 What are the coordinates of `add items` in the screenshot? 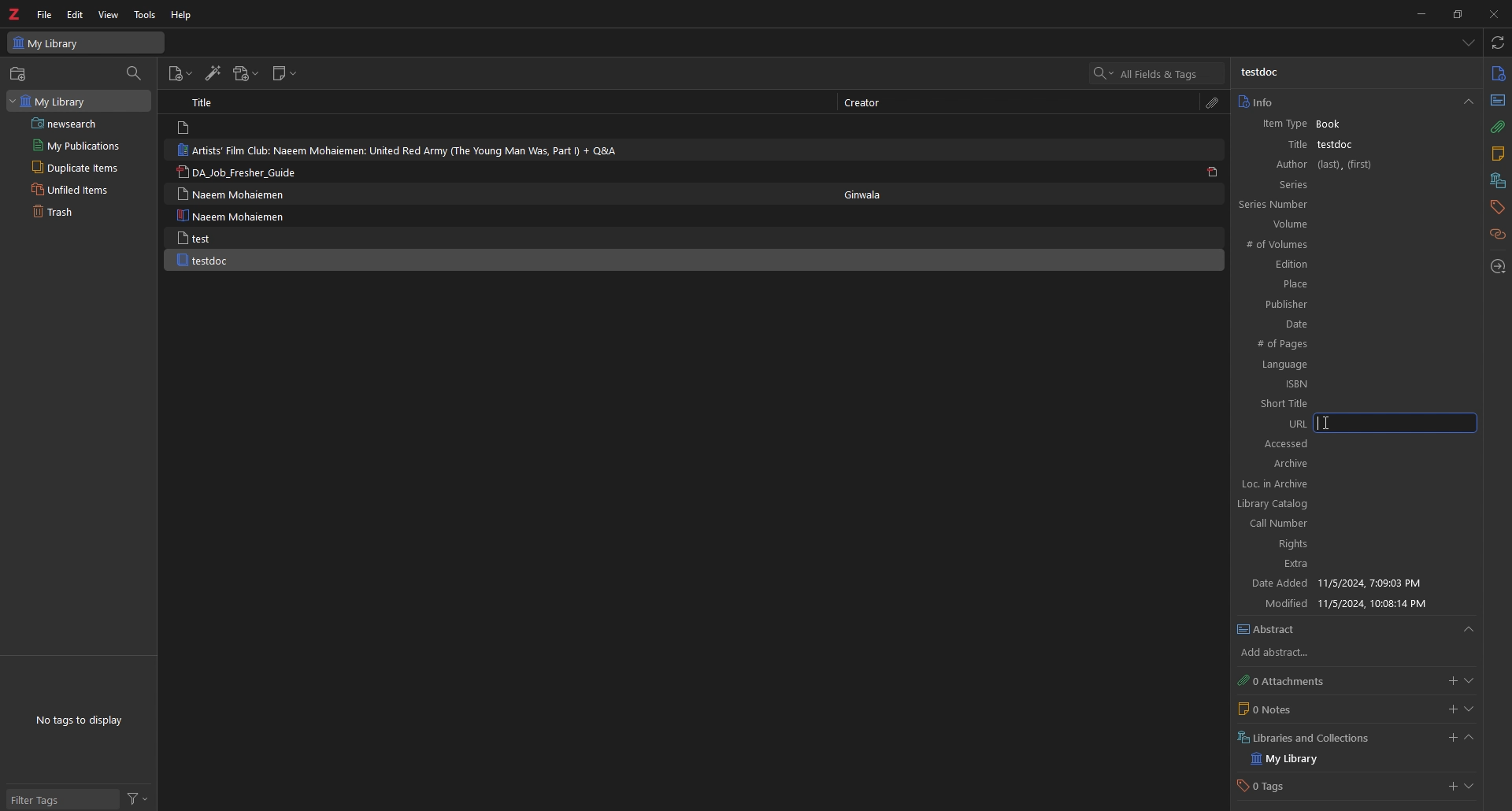 It's located at (180, 73).